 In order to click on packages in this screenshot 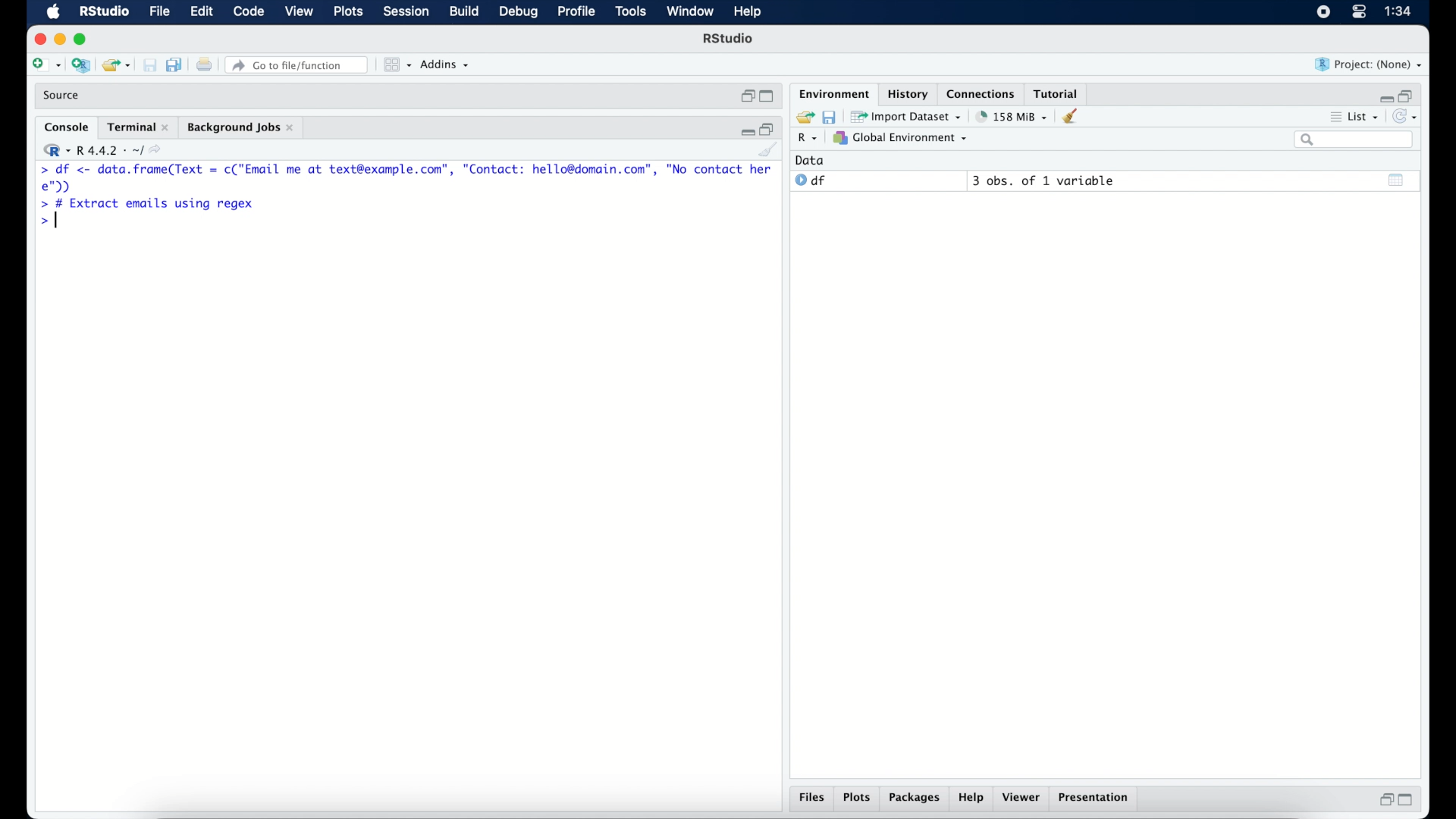, I will do `click(914, 799)`.